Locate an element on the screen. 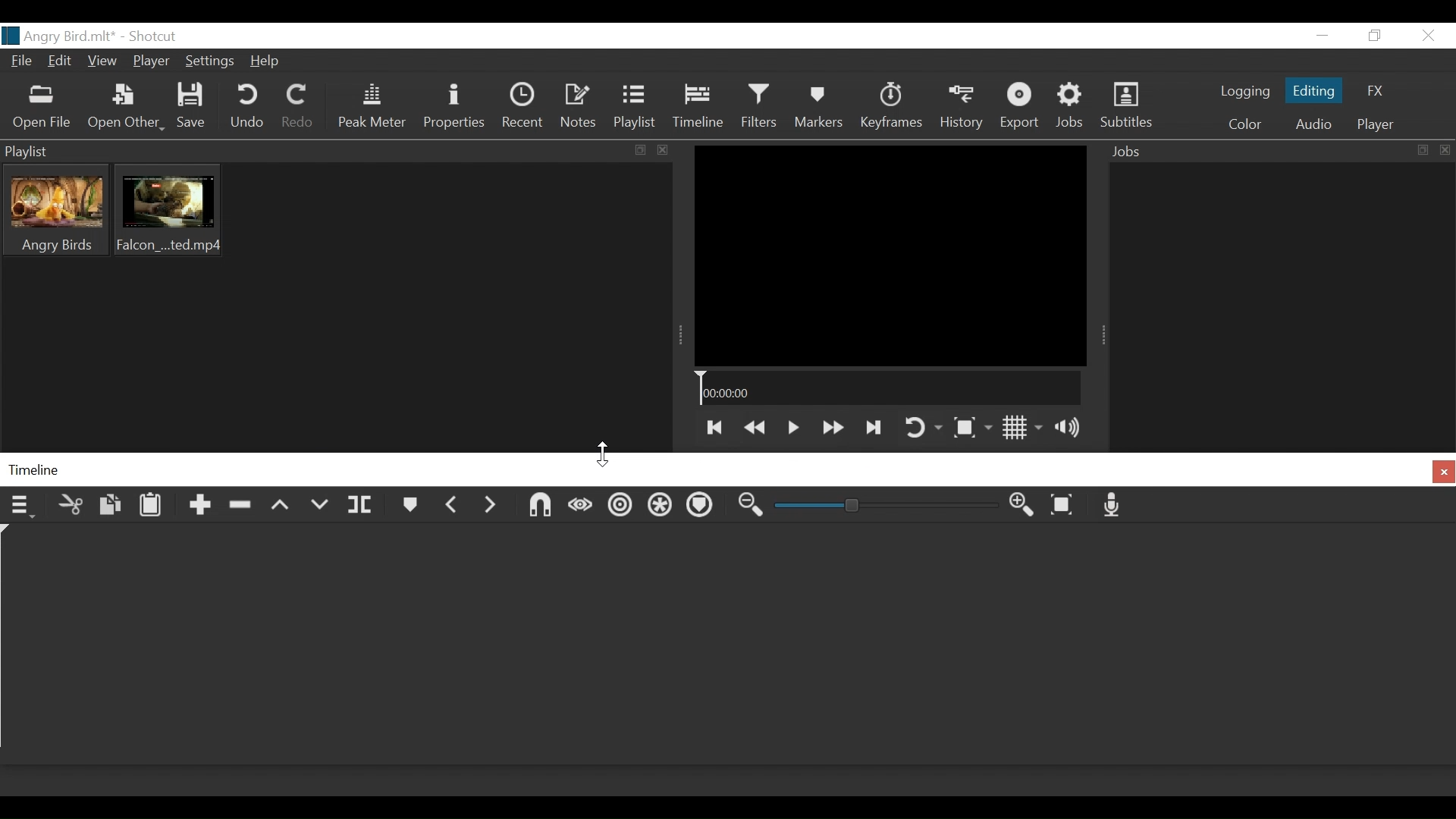 This screenshot has width=1456, height=819. Shotcut is located at coordinates (151, 36).